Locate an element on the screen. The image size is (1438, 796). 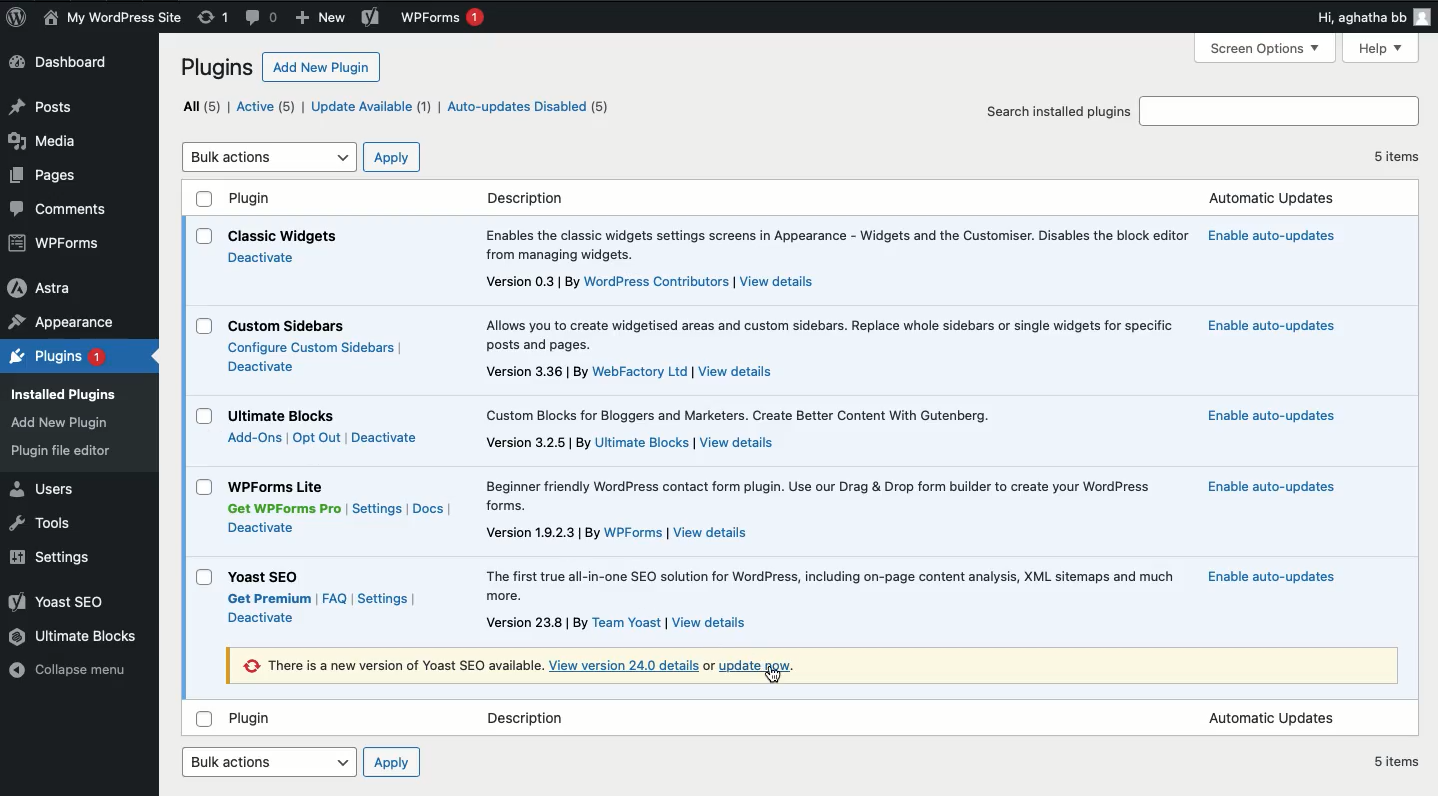
Plugin is located at coordinates (283, 237).